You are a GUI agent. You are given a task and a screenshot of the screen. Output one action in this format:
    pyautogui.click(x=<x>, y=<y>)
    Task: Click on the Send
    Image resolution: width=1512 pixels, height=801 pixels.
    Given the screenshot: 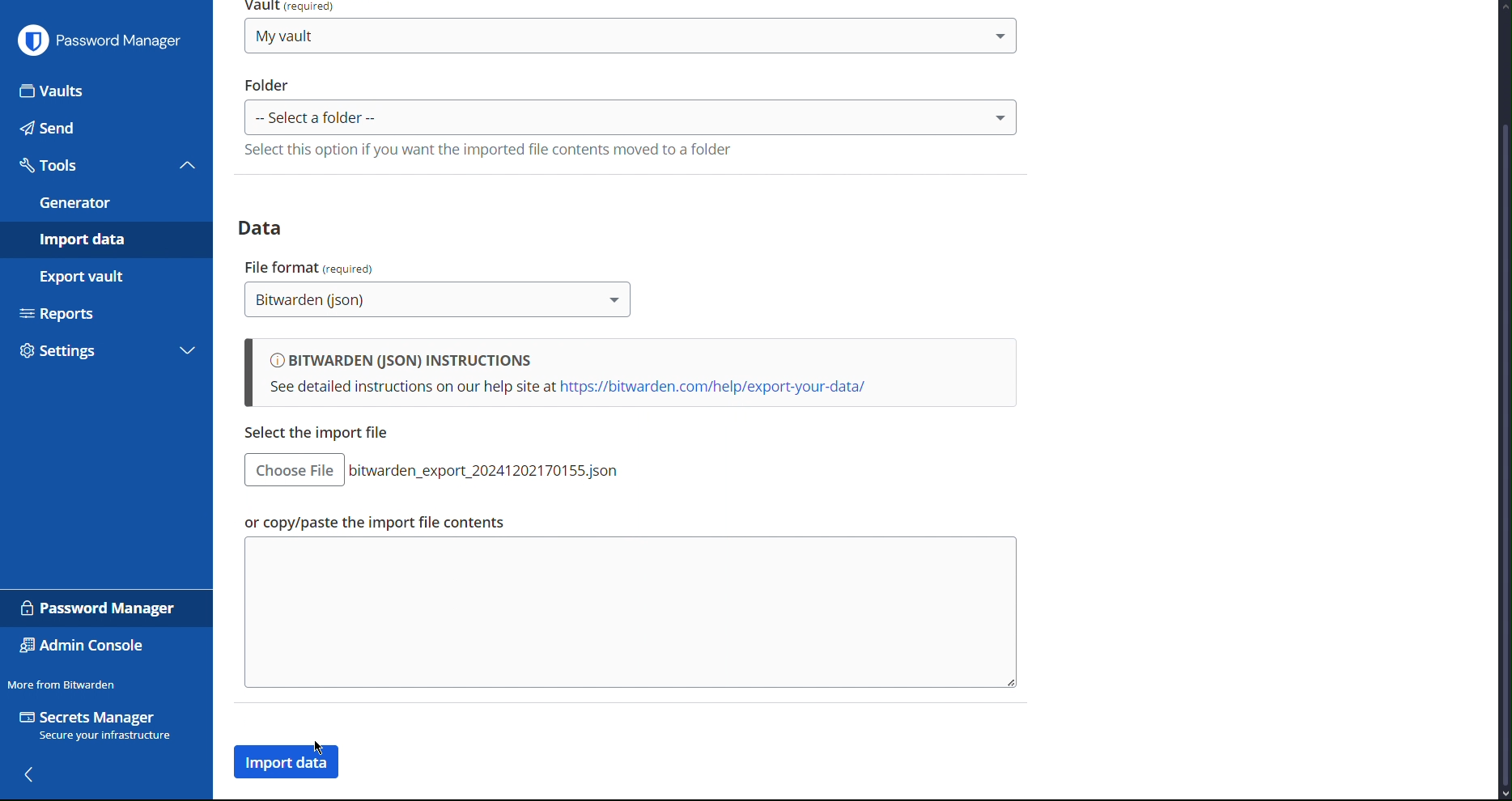 What is the action you would take?
    pyautogui.click(x=104, y=128)
    